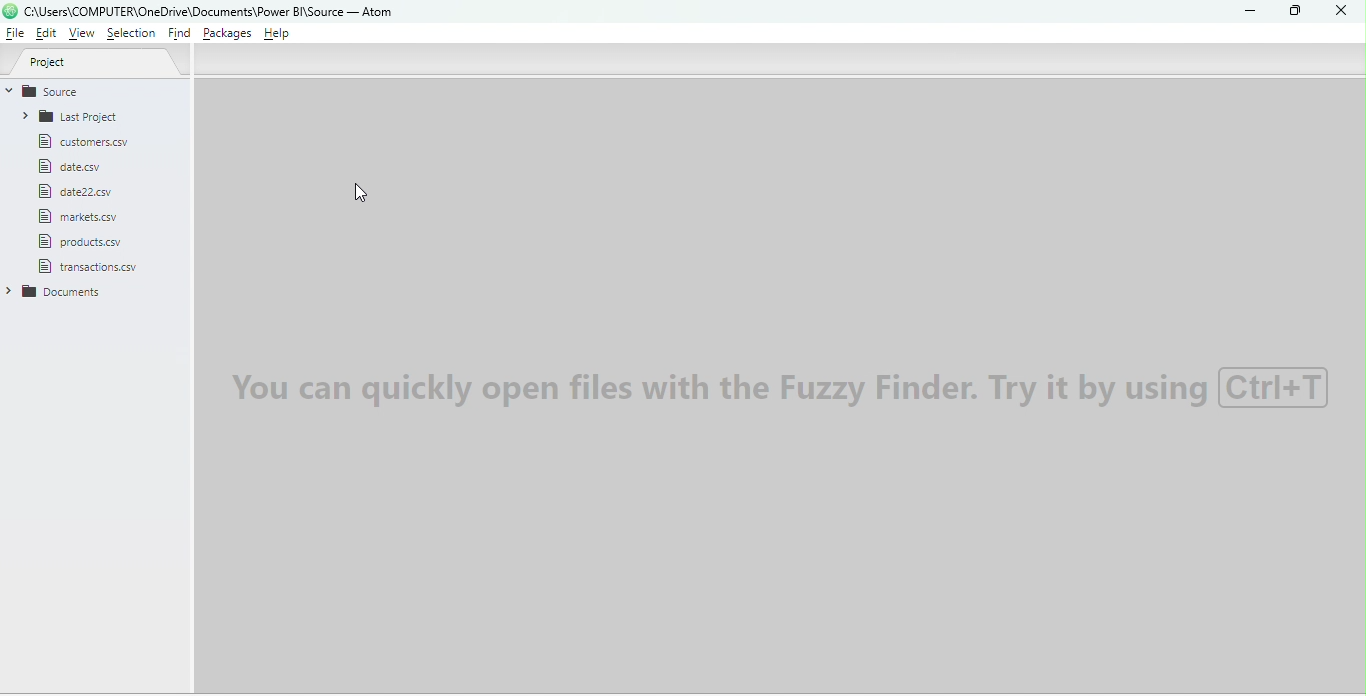 The image size is (1366, 696). Describe the element at coordinates (76, 216) in the screenshot. I see `File` at that location.